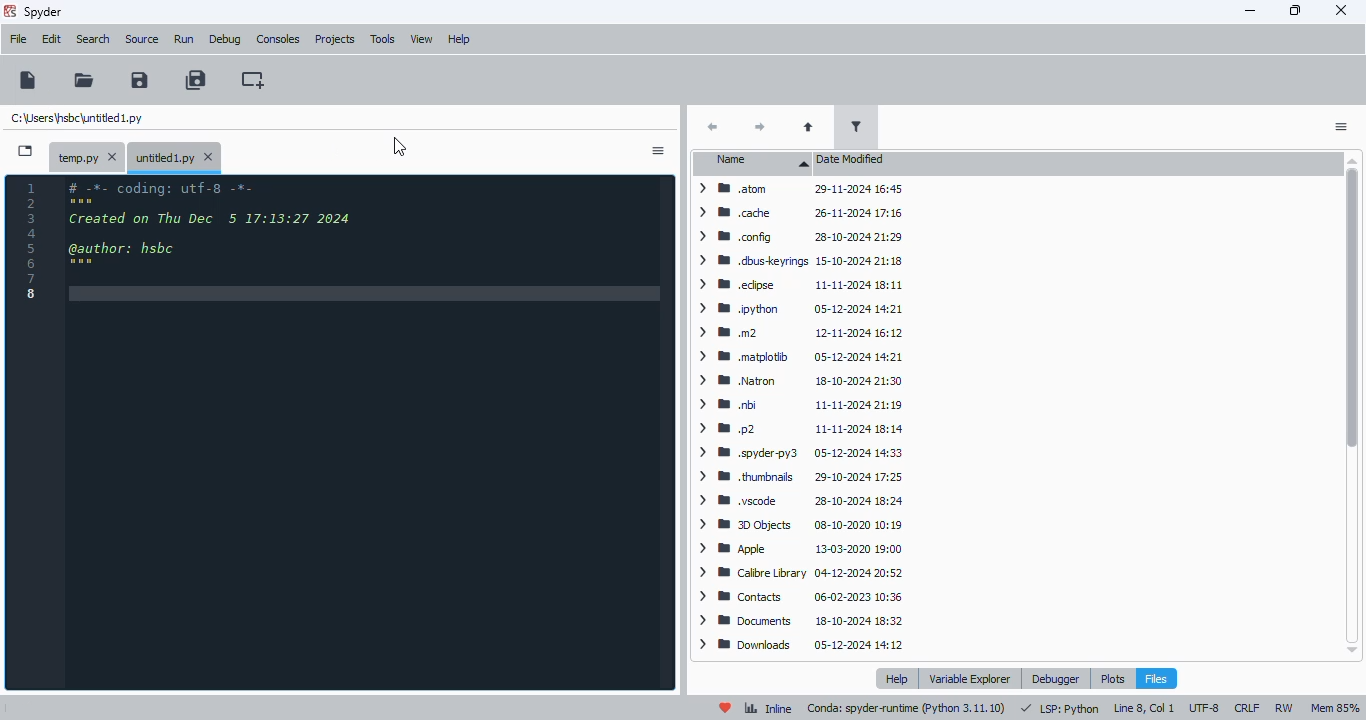 The image size is (1366, 720). I want to click on view, so click(421, 39).